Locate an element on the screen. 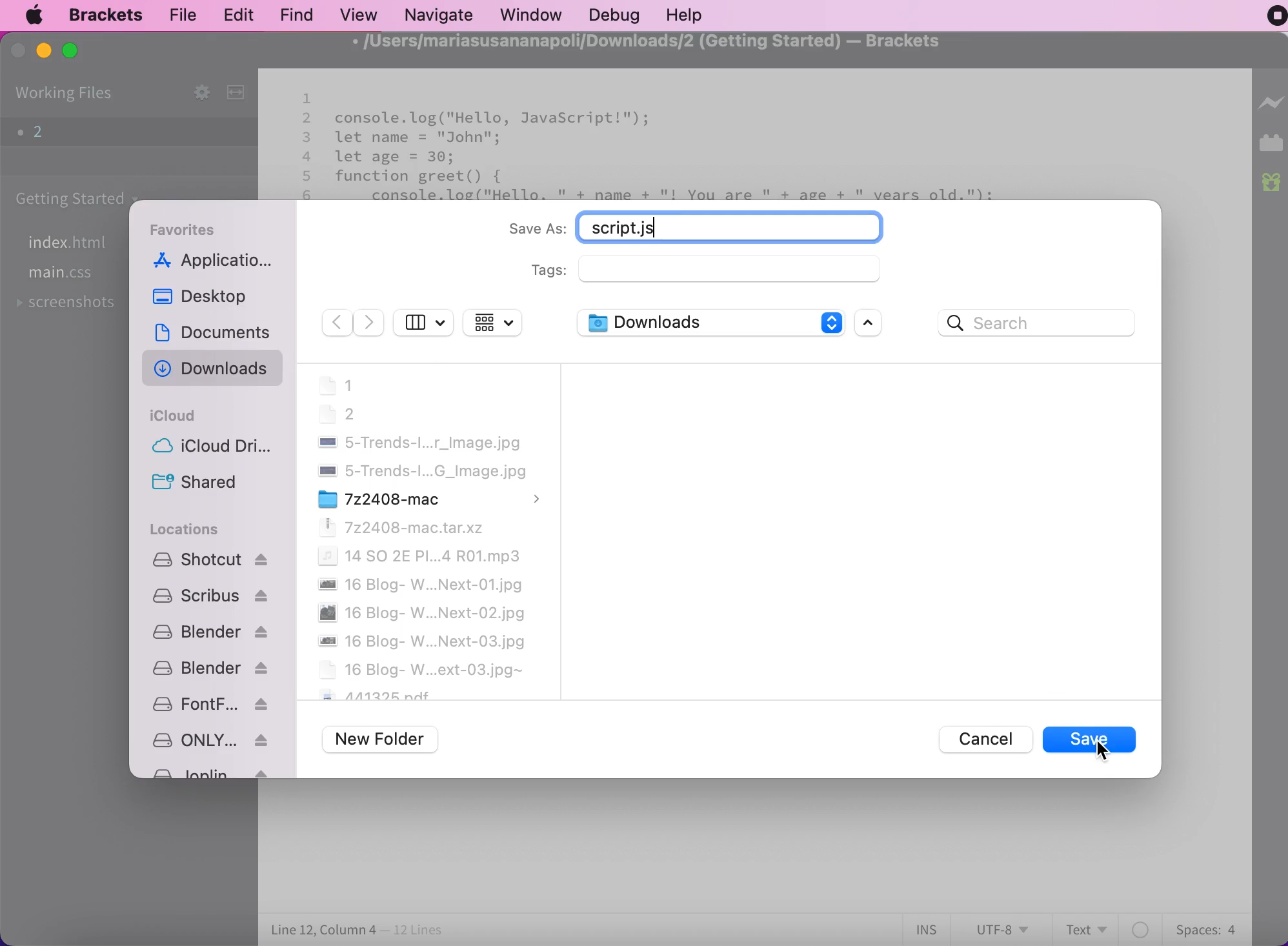 This screenshot has width=1288, height=946. view is located at coordinates (356, 14).